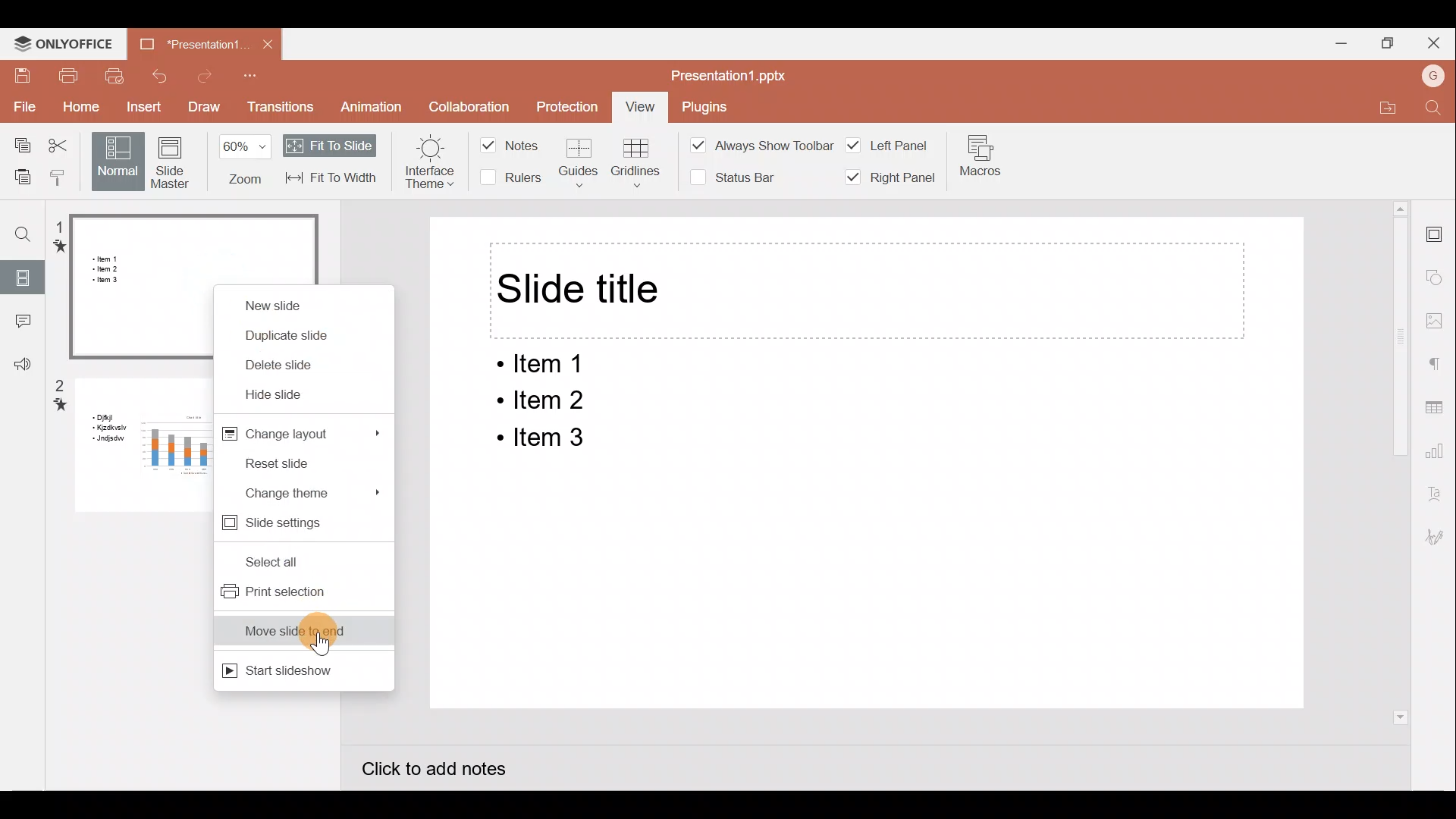 The image size is (1456, 819). Describe the element at coordinates (1439, 231) in the screenshot. I see `Slide settings` at that location.